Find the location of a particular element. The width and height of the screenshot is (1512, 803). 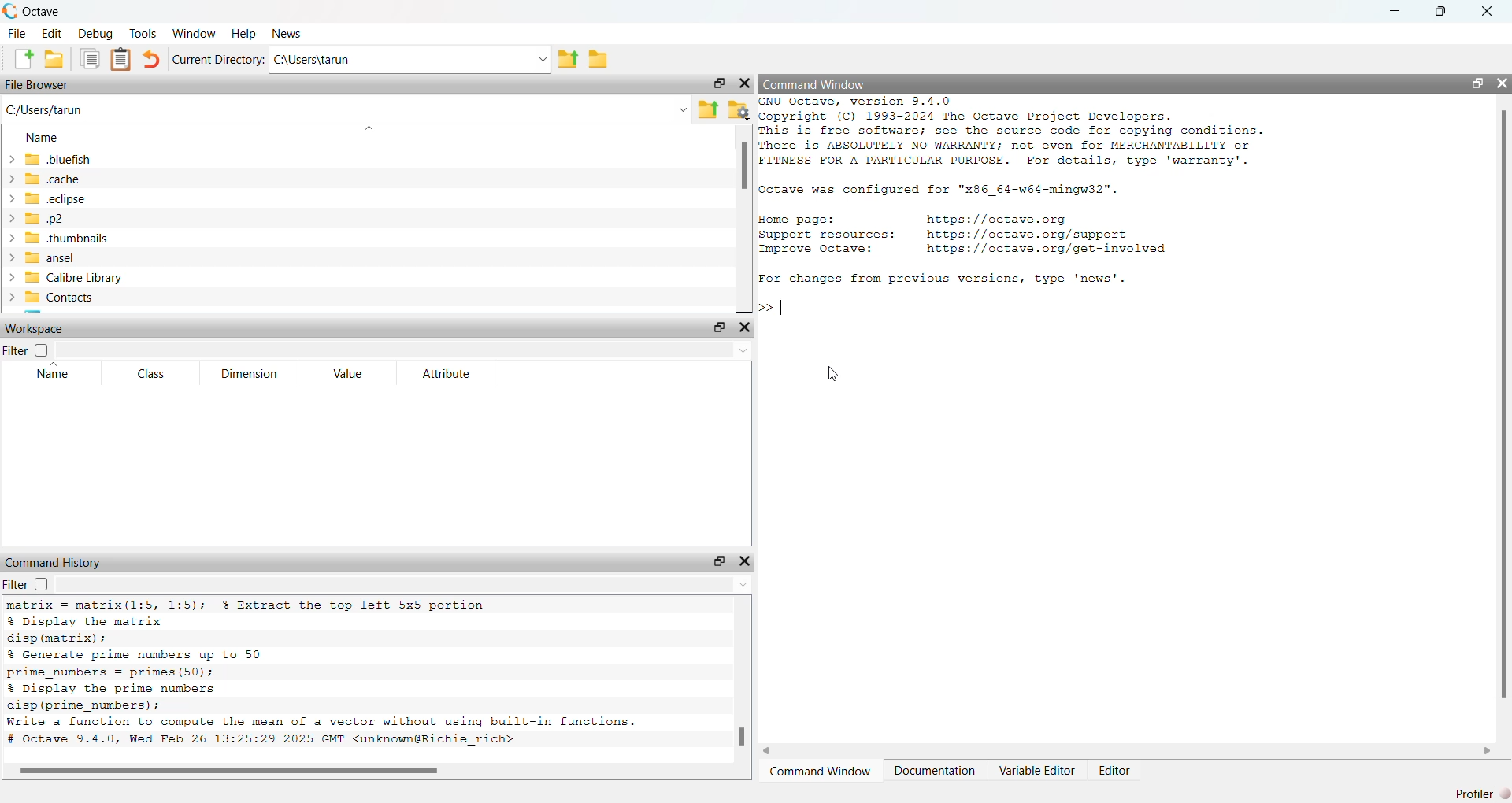

maximise is located at coordinates (1440, 9).